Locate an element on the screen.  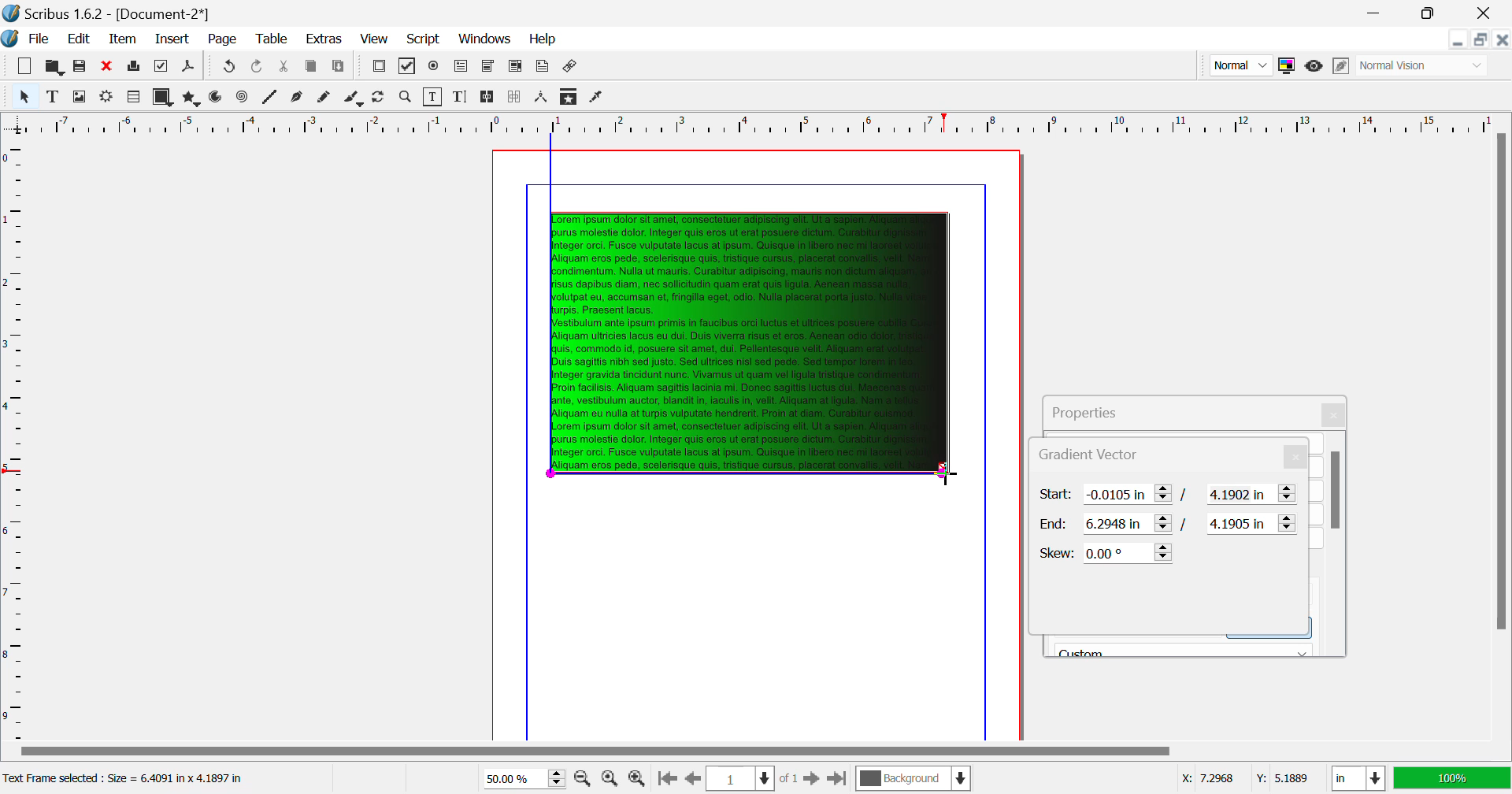
Display Visual Appearance is located at coordinates (1424, 65).